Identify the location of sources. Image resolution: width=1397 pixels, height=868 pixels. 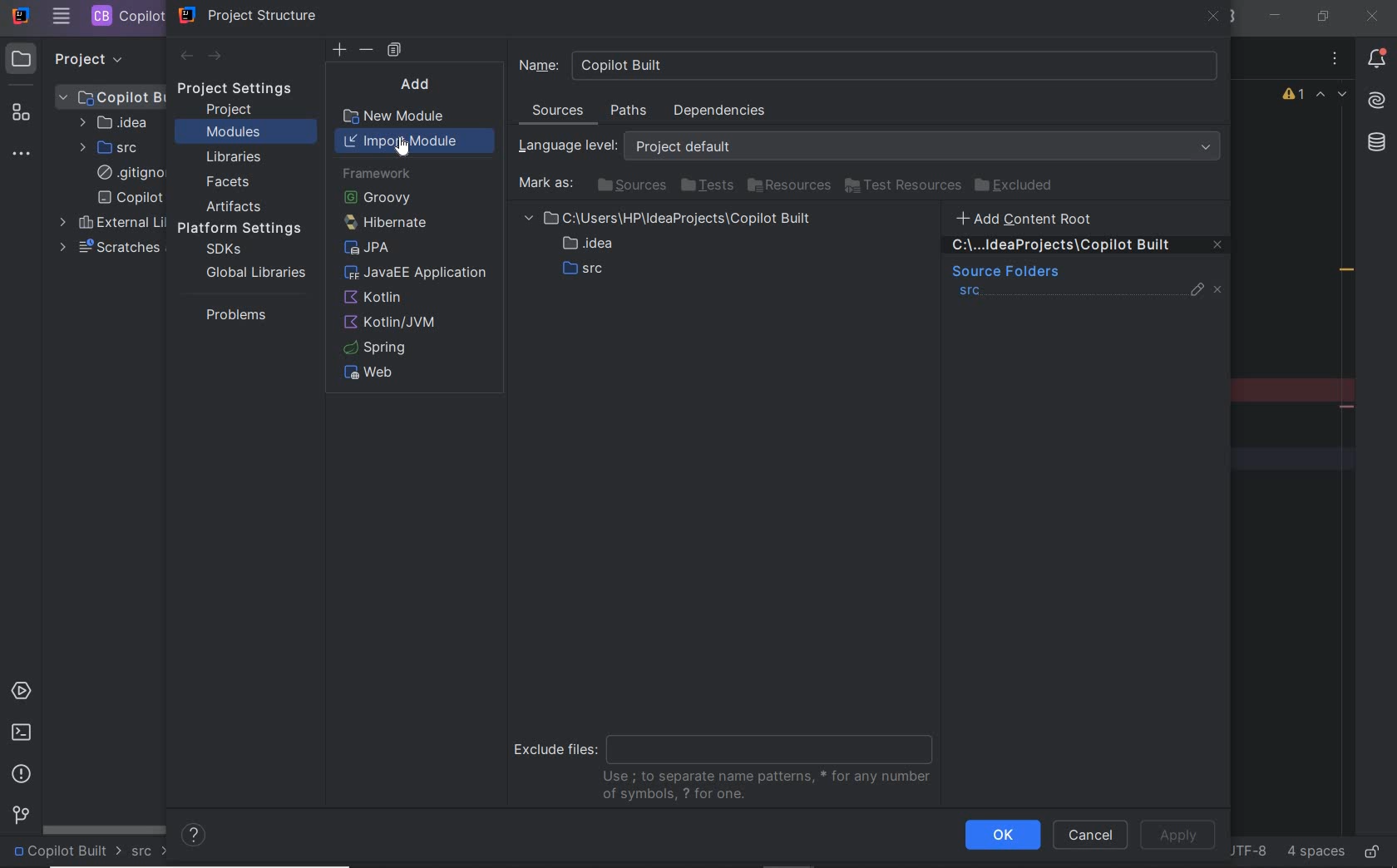
(560, 113).